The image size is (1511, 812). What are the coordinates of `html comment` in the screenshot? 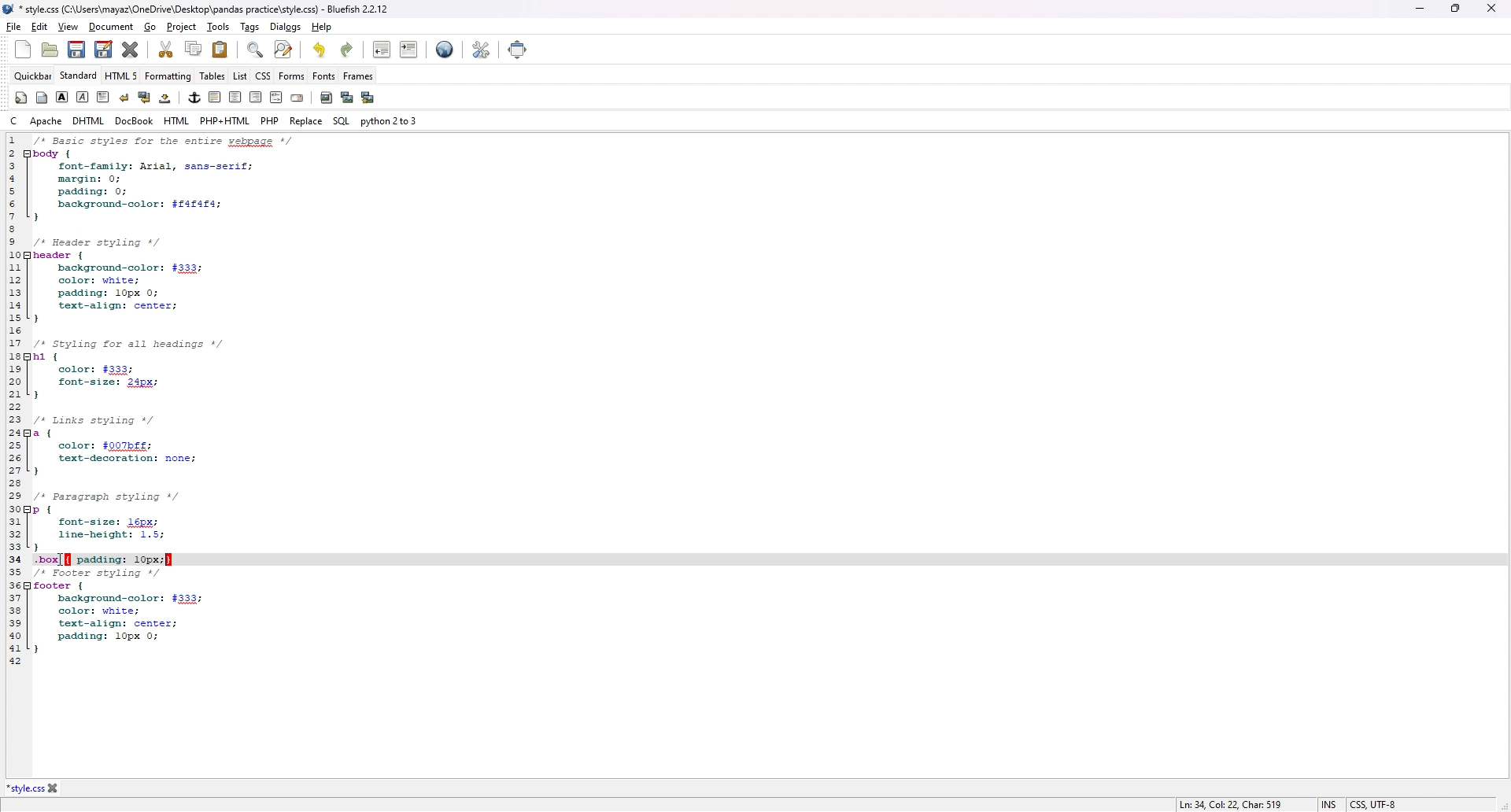 It's located at (276, 98).